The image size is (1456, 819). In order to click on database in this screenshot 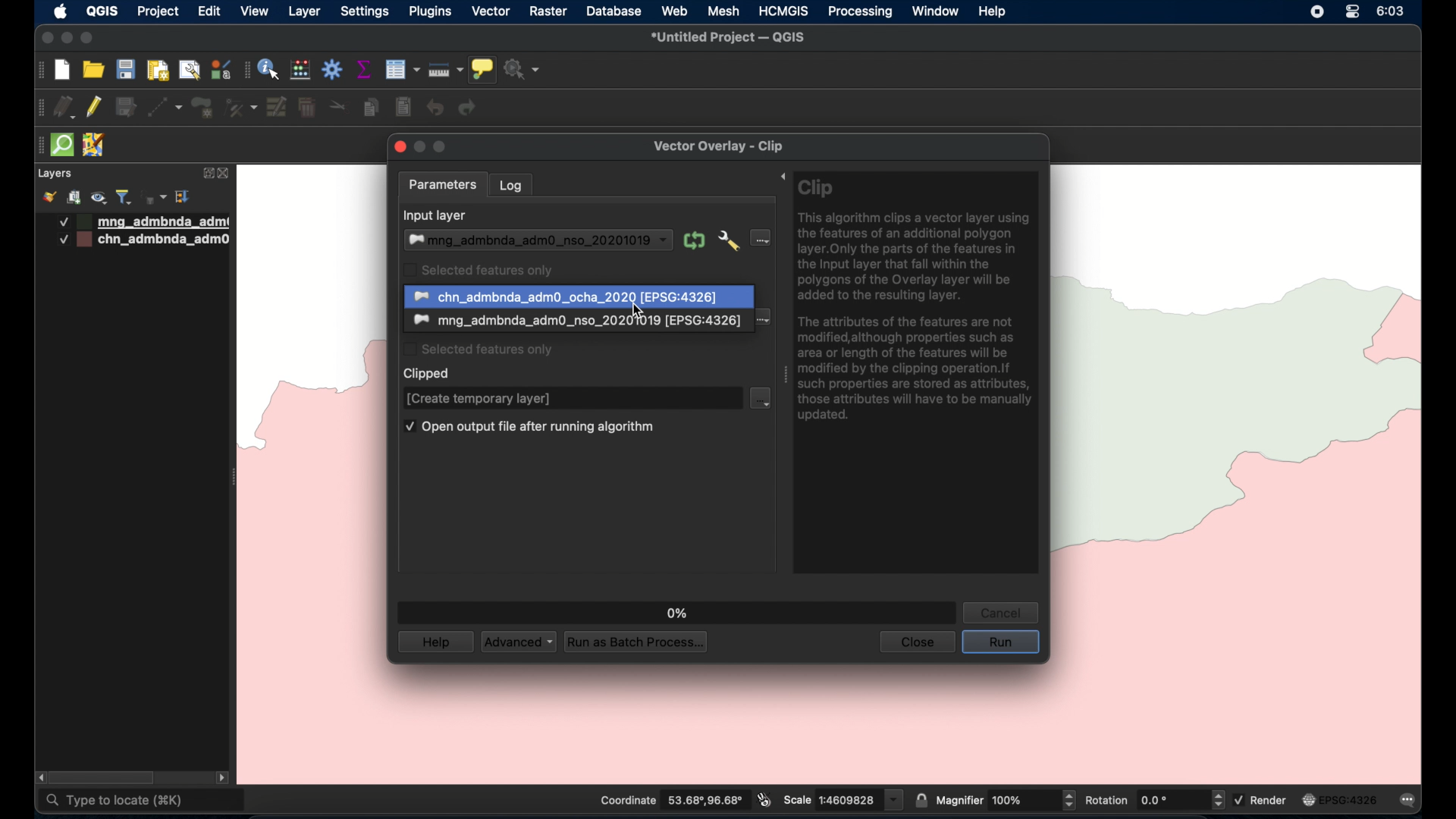, I will do `click(612, 13)`.